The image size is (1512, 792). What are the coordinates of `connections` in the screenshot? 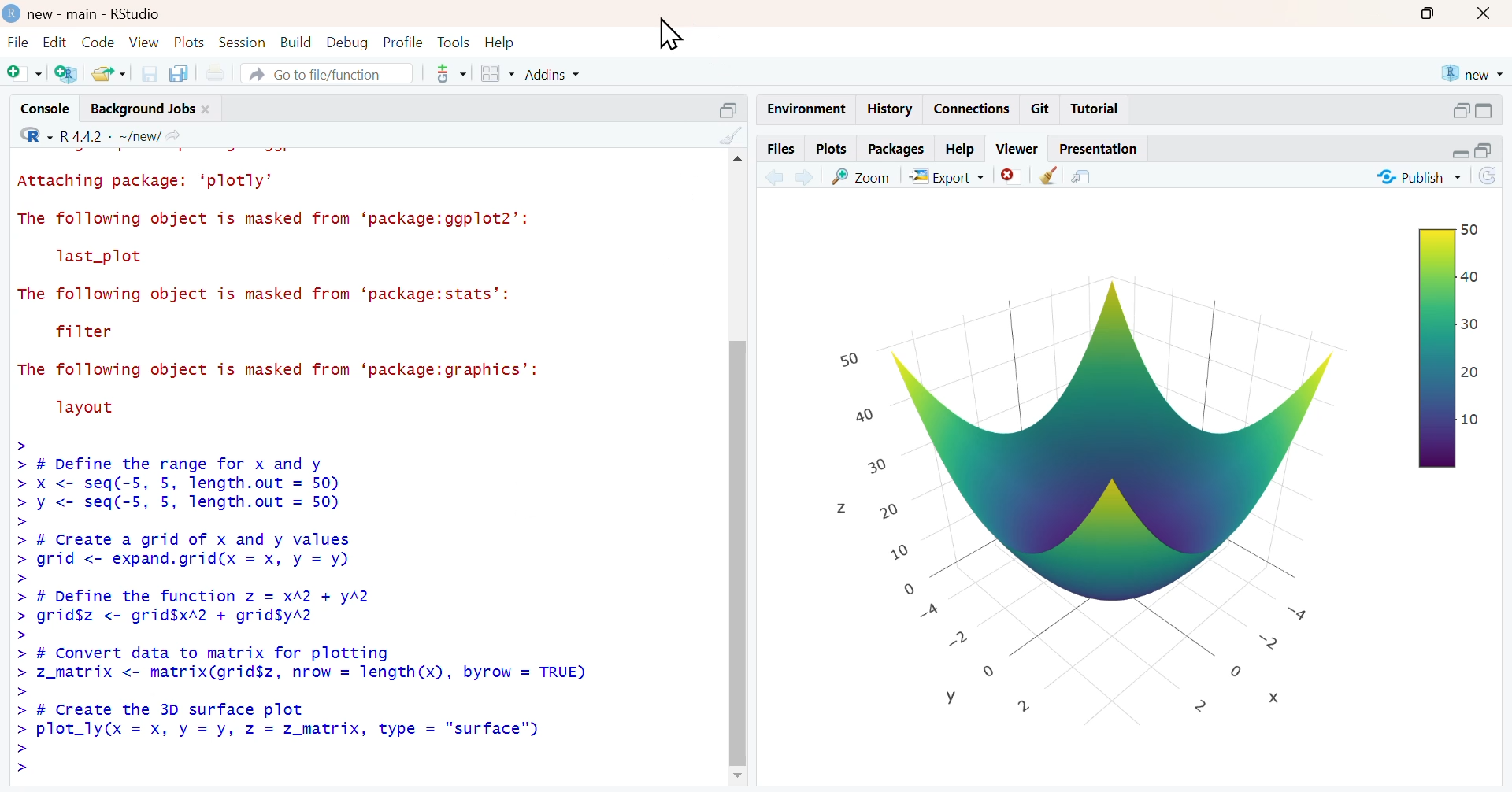 It's located at (971, 109).